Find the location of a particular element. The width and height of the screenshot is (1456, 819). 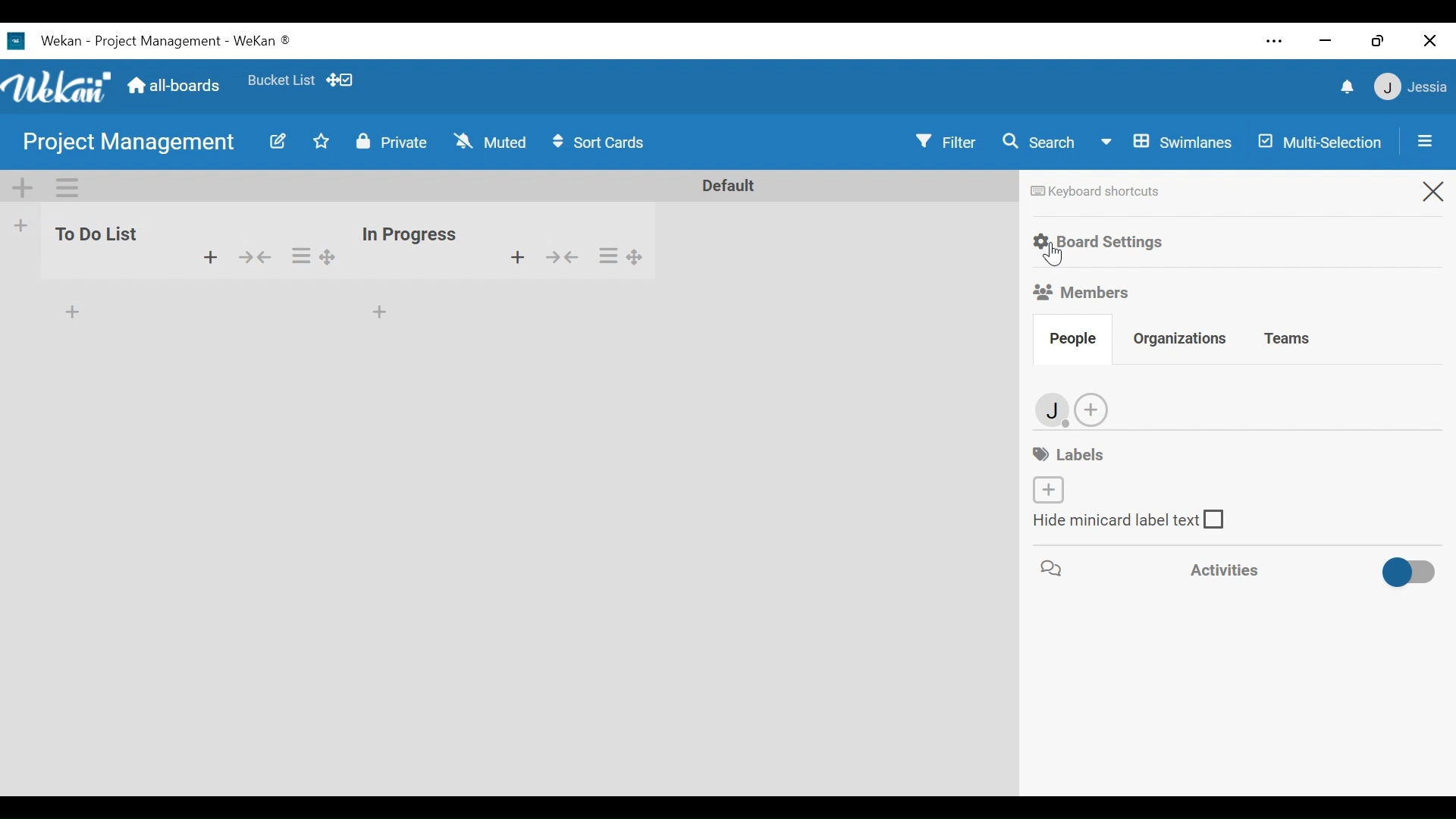

Favorites is located at coordinates (283, 82).